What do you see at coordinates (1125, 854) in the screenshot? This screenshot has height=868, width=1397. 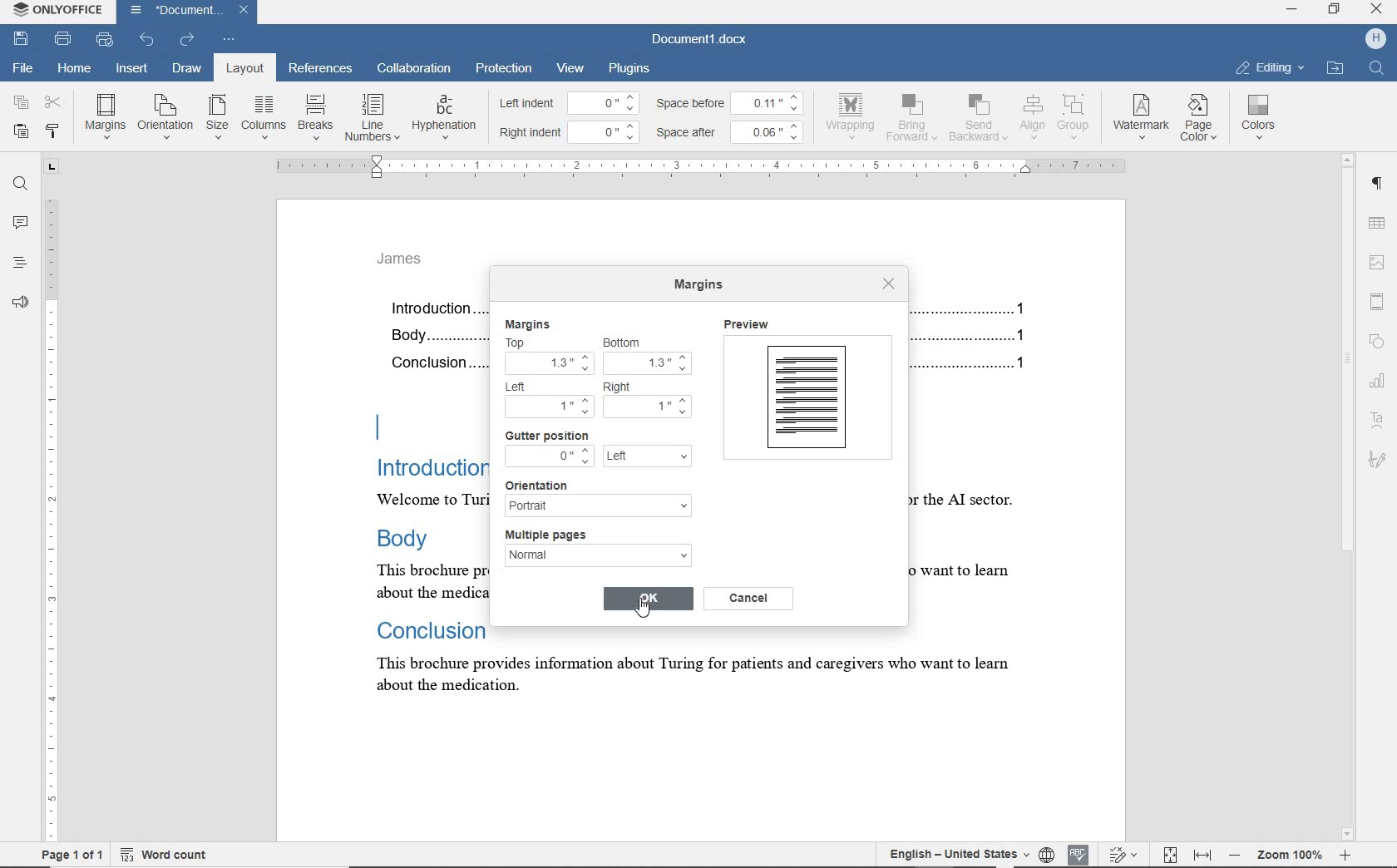 I see `track changes` at bounding box center [1125, 854].